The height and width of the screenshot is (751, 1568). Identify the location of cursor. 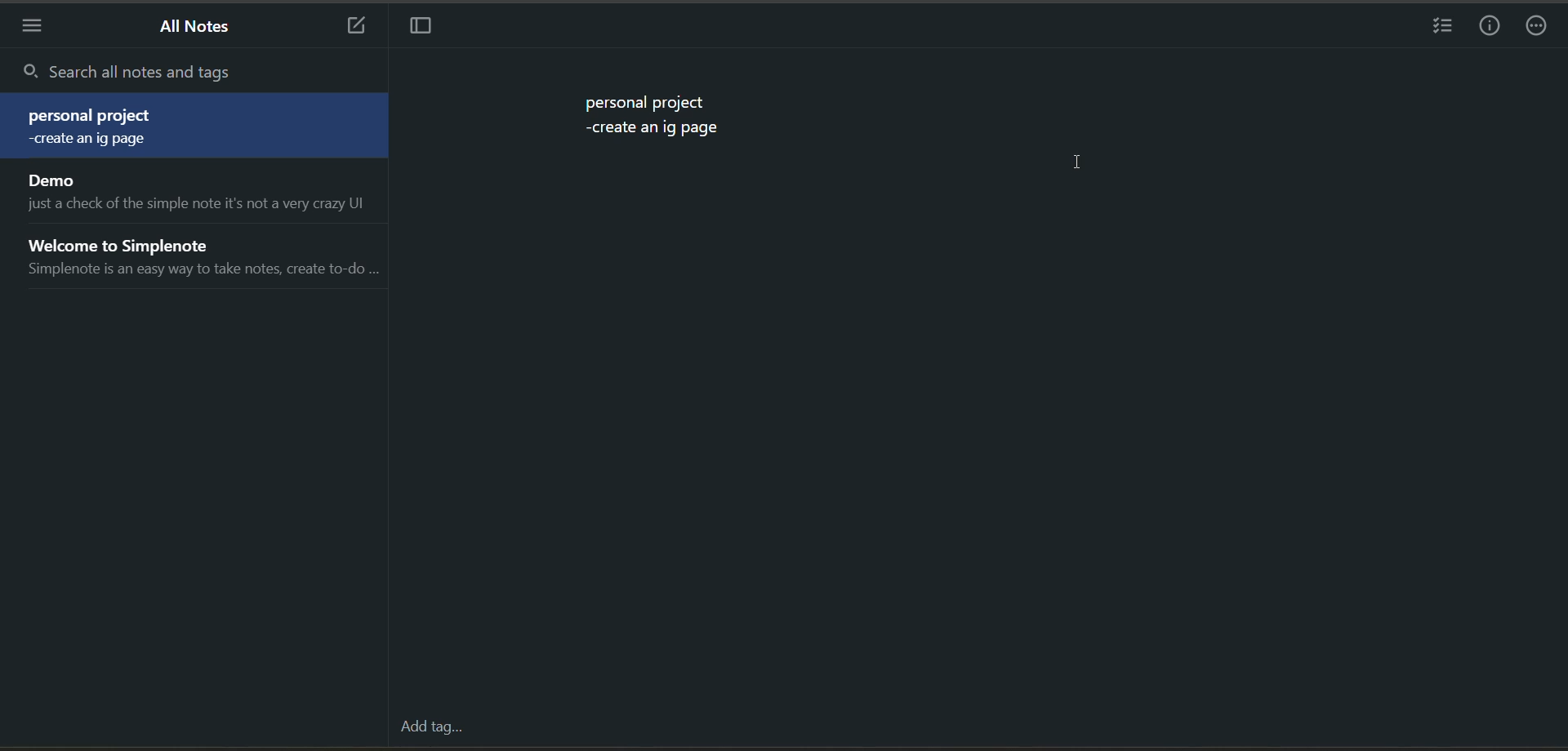
(1080, 165).